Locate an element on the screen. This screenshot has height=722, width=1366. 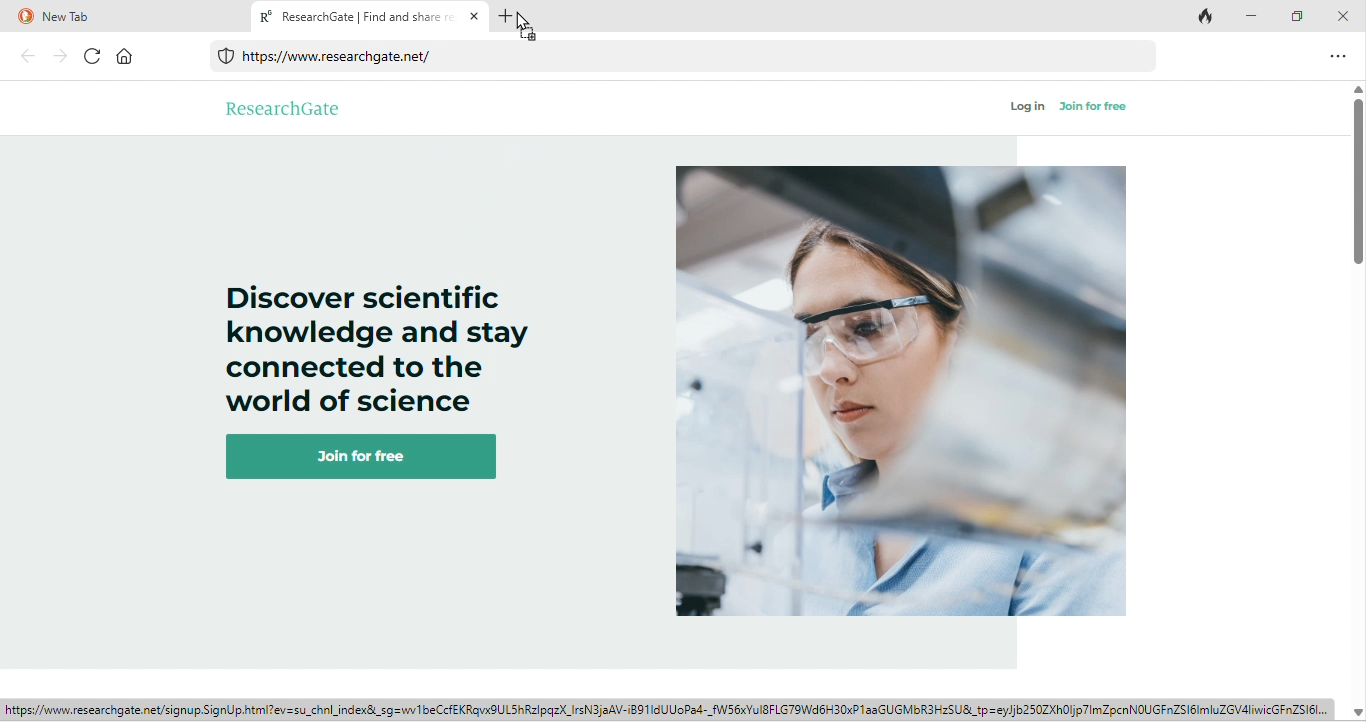
hitps://www.researchgate net/signup SignUp. htmiZev=su_chnl_index&_sg=wy1beCcEKRquxOULShRzipqzX_IrsN3jaAV-iBO1IdUUOPa4- fWS6xYulBFLGTOWAEH30NP12aGUGMBR3IHZSUS tp=eylib250ZXh0ljpTImZpcnNOUGFnZSIGImkiZGVAliwicGFnZSI6l... is located at coordinates (670, 710).